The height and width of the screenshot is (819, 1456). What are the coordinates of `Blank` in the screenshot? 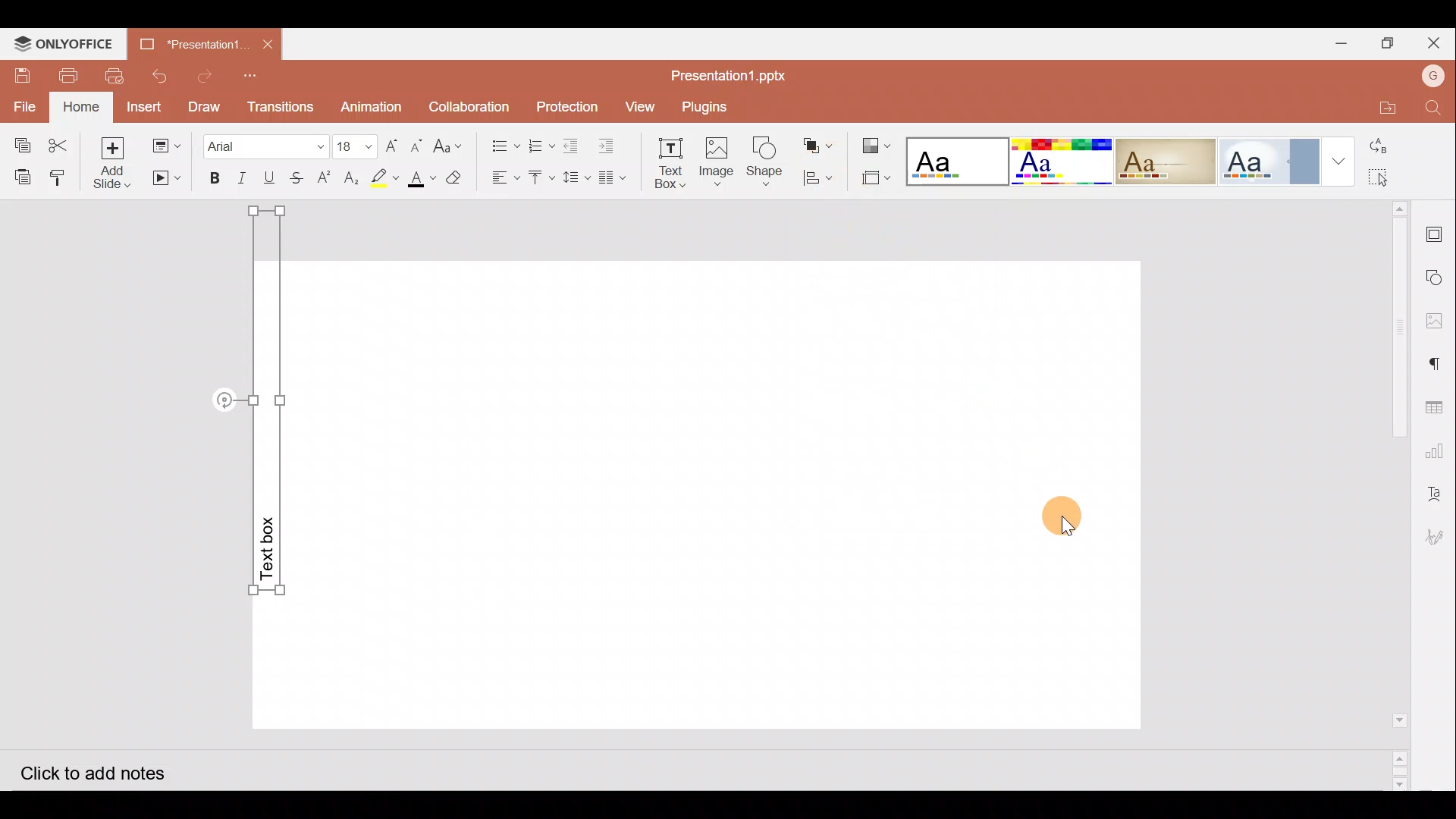 It's located at (954, 159).